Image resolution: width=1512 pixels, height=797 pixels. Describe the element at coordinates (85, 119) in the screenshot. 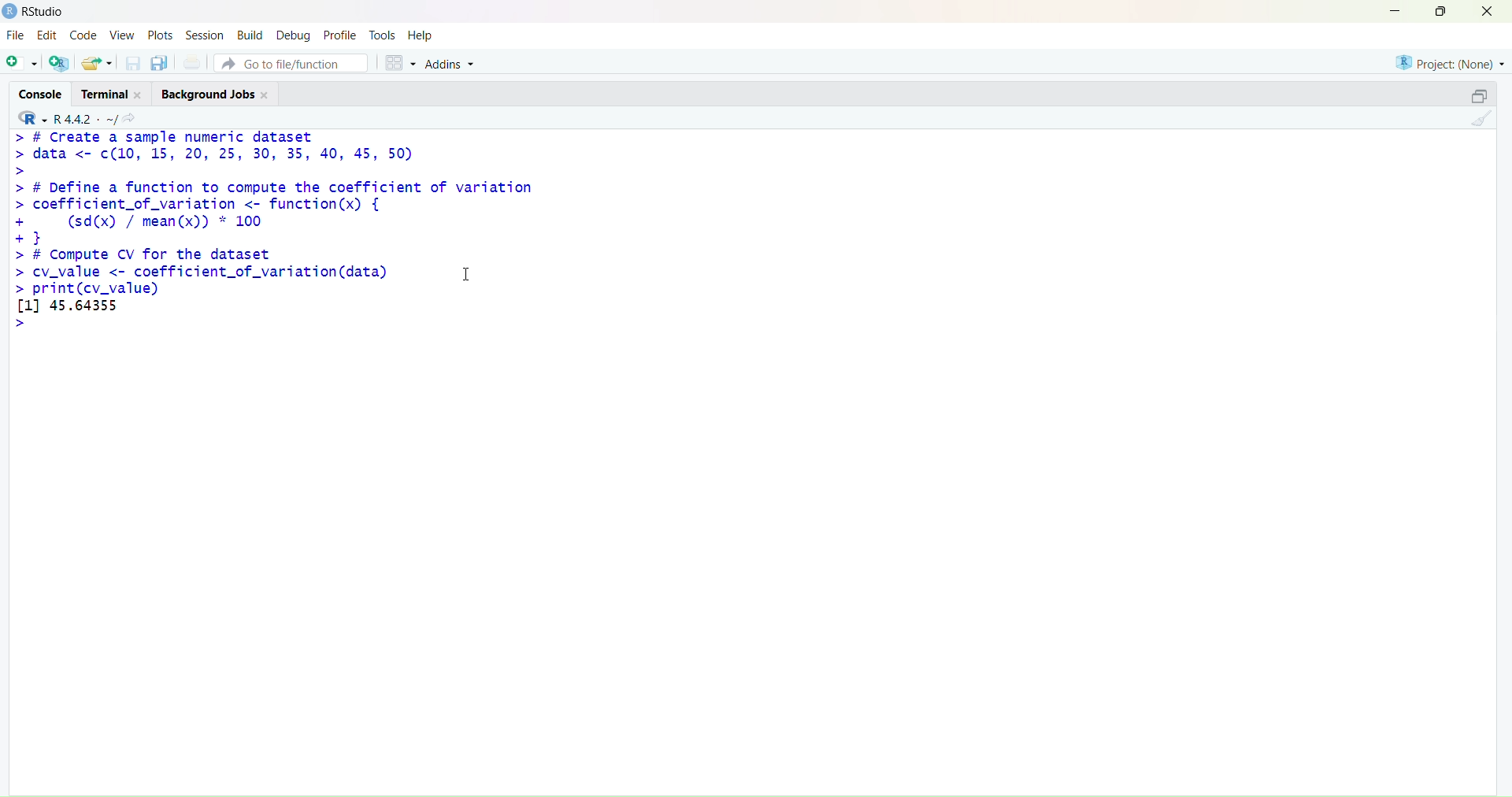

I see `R 4.4.2 ~/` at that location.